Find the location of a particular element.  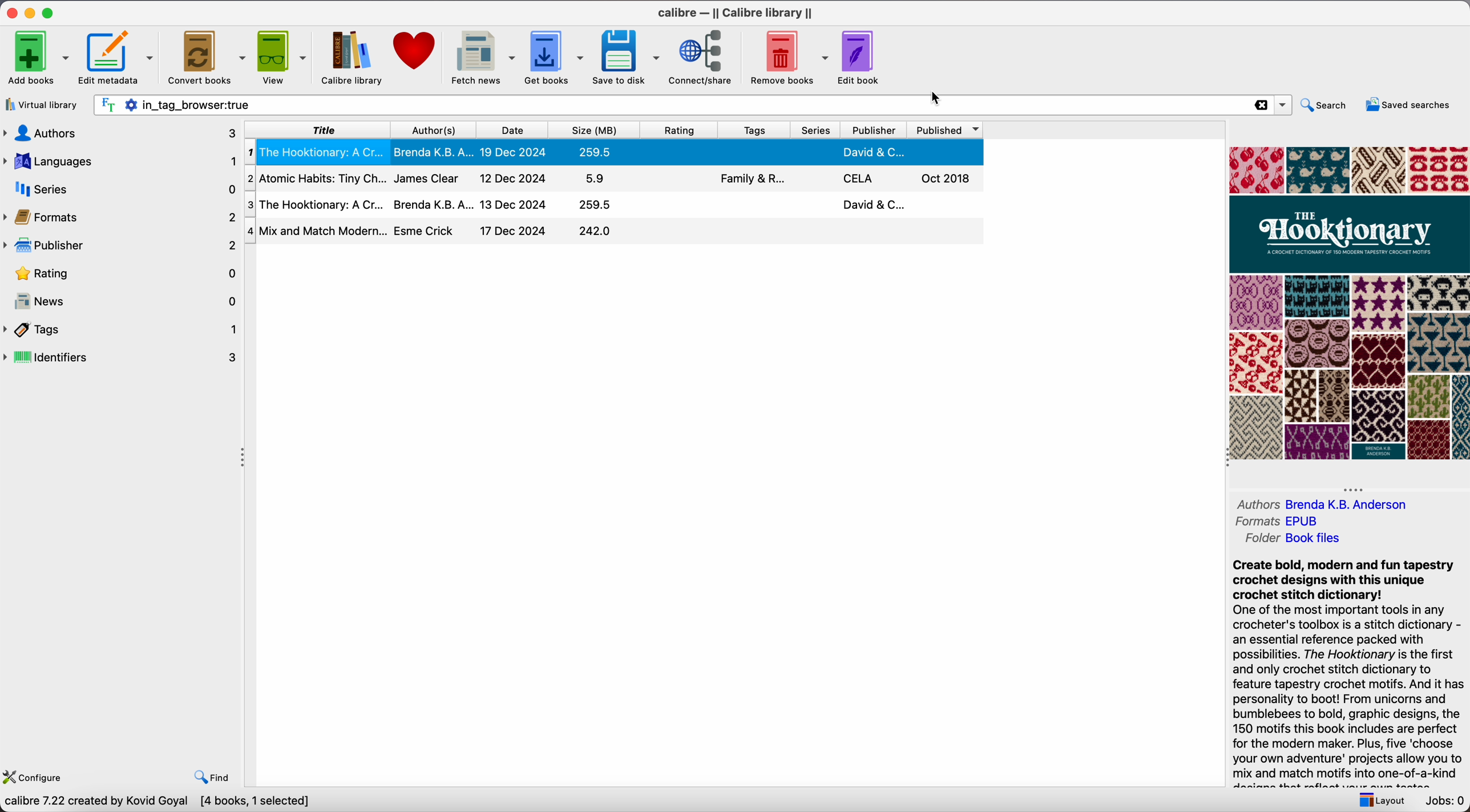

edit book is located at coordinates (863, 58).